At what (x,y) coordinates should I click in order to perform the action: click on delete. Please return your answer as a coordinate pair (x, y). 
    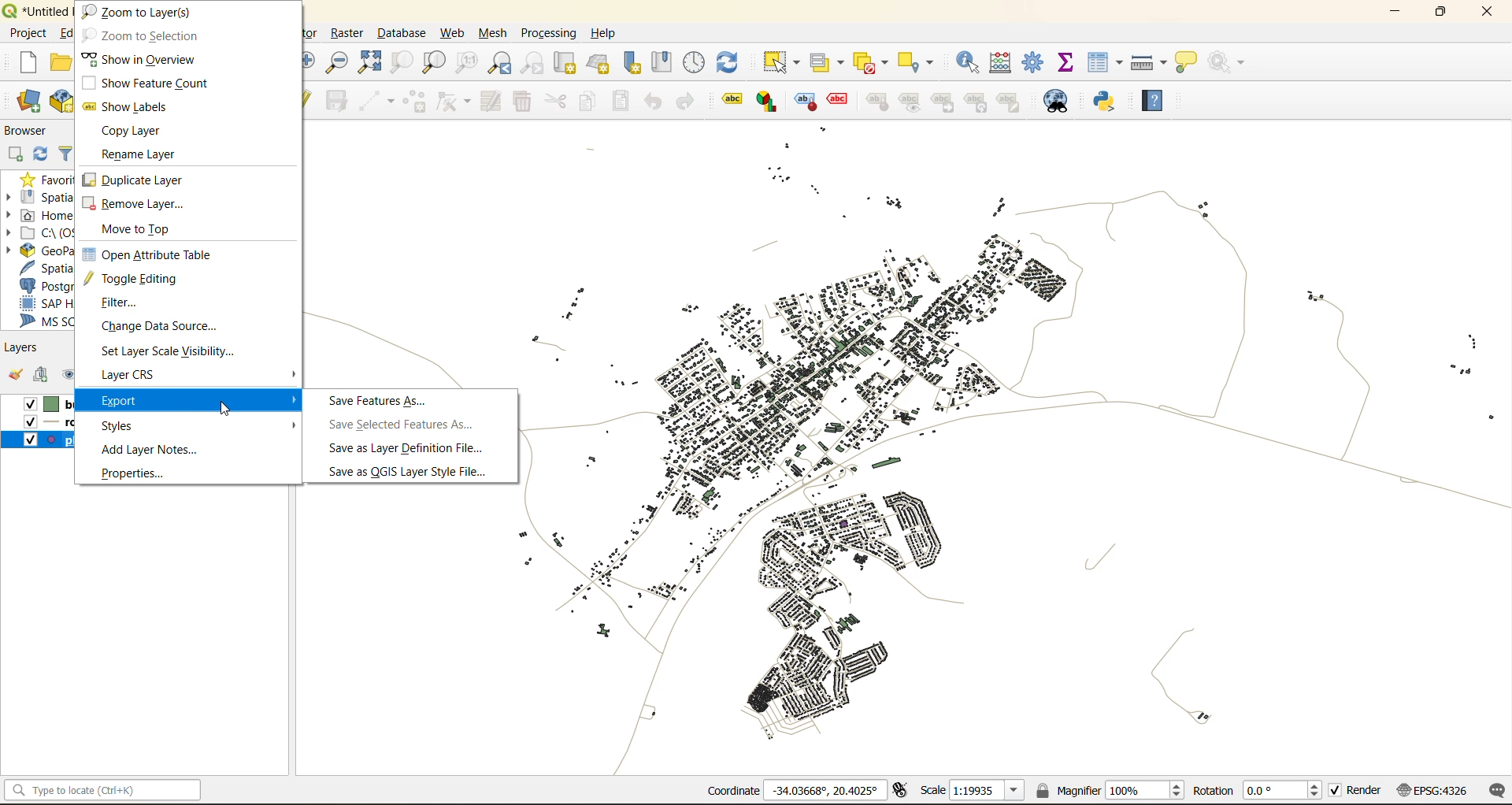
    Looking at the image, I should click on (524, 103).